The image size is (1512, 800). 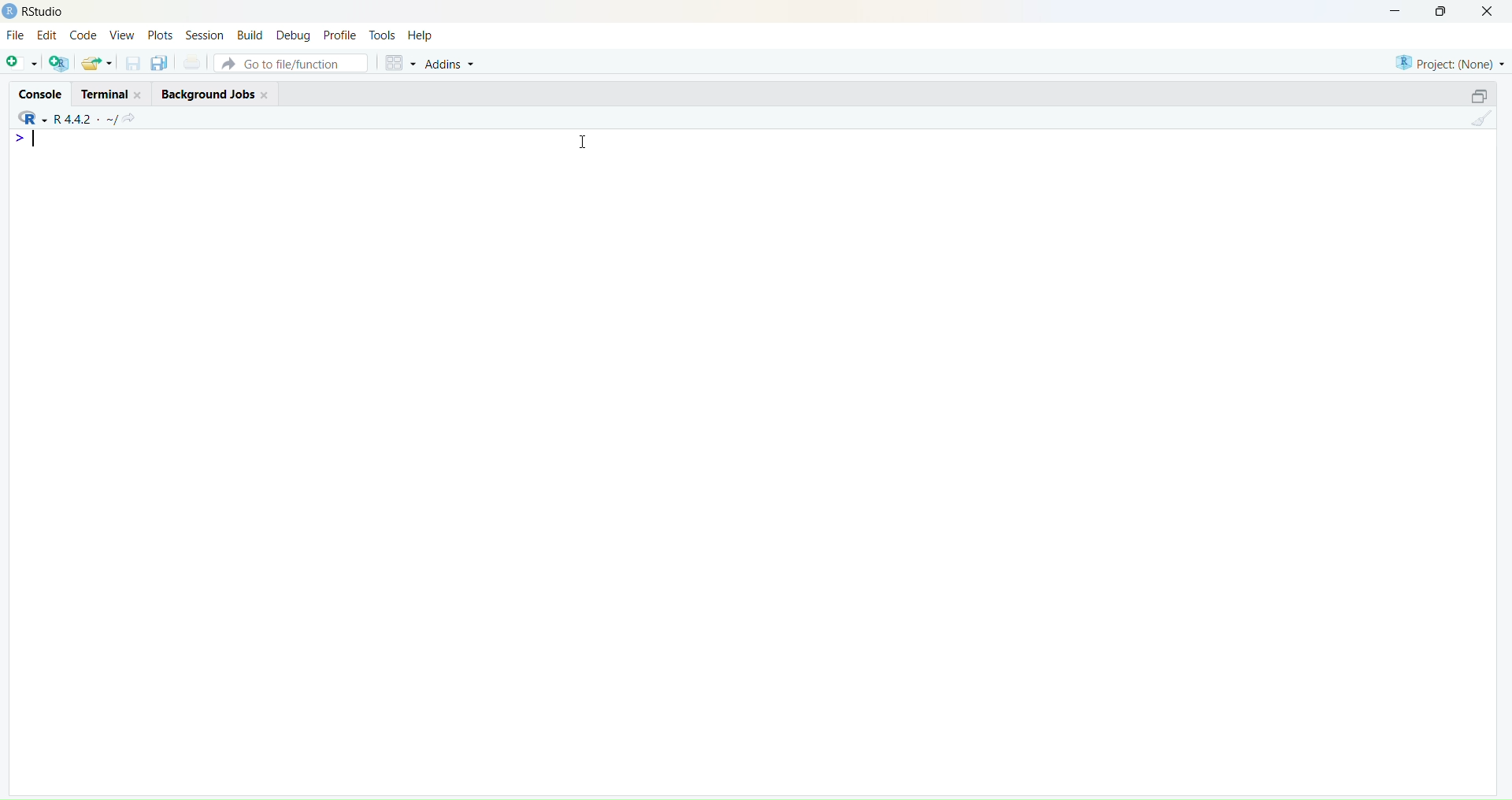 I want to click on close, so click(x=139, y=95).